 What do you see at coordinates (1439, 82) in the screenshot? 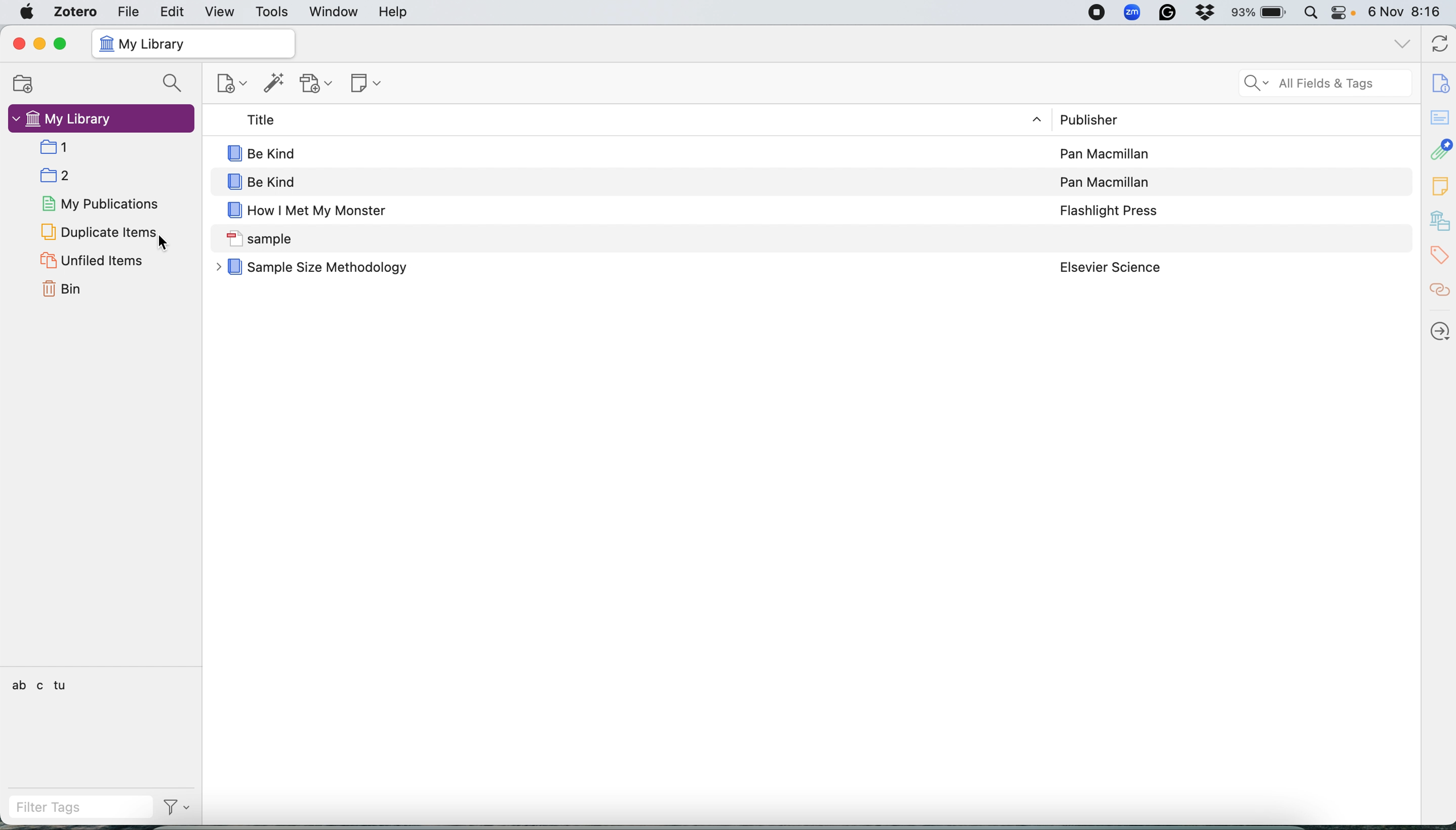
I see `note info` at bounding box center [1439, 82].